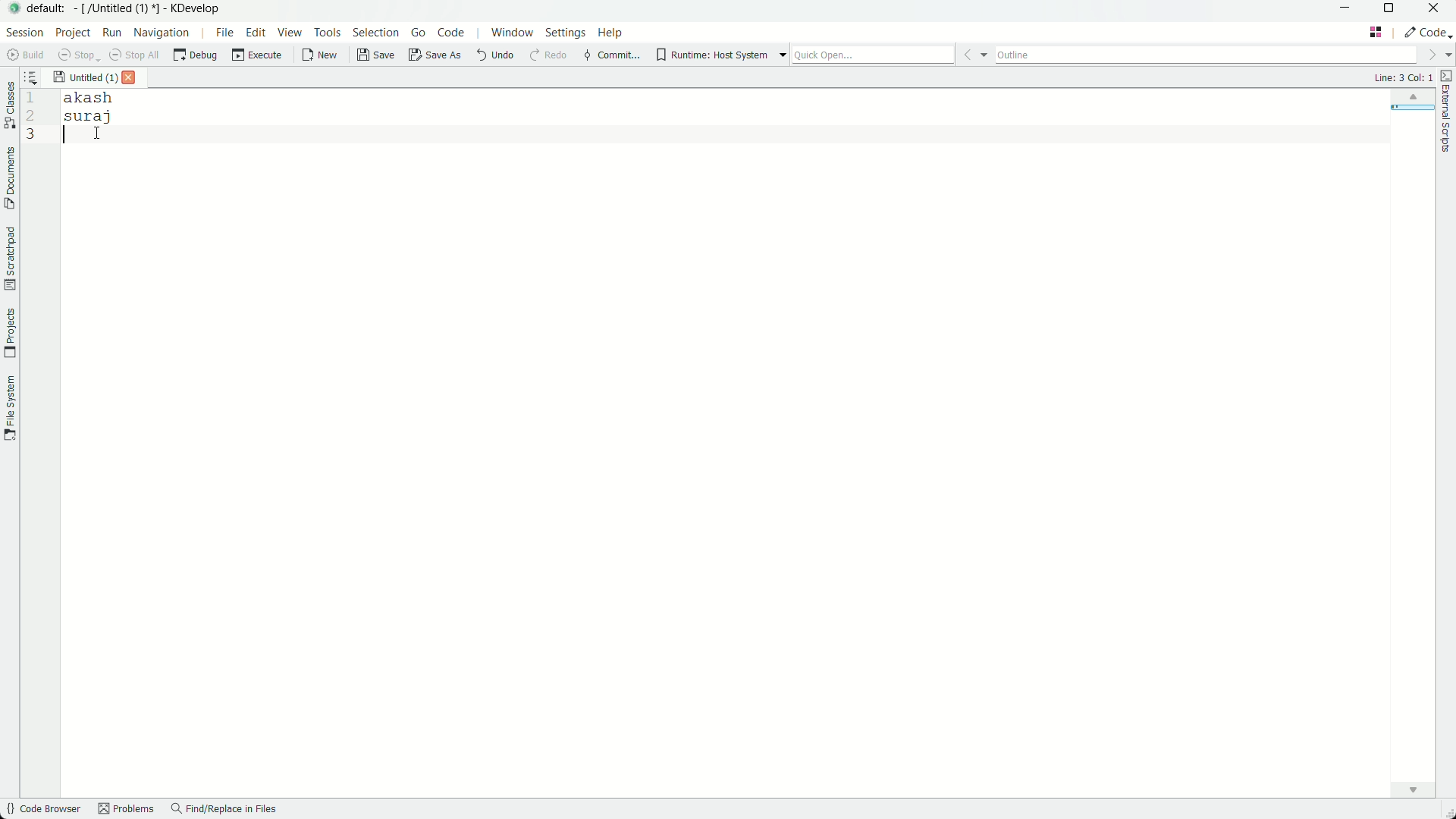  What do you see at coordinates (511, 33) in the screenshot?
I see `window menu` at bounding box center [511, 33].